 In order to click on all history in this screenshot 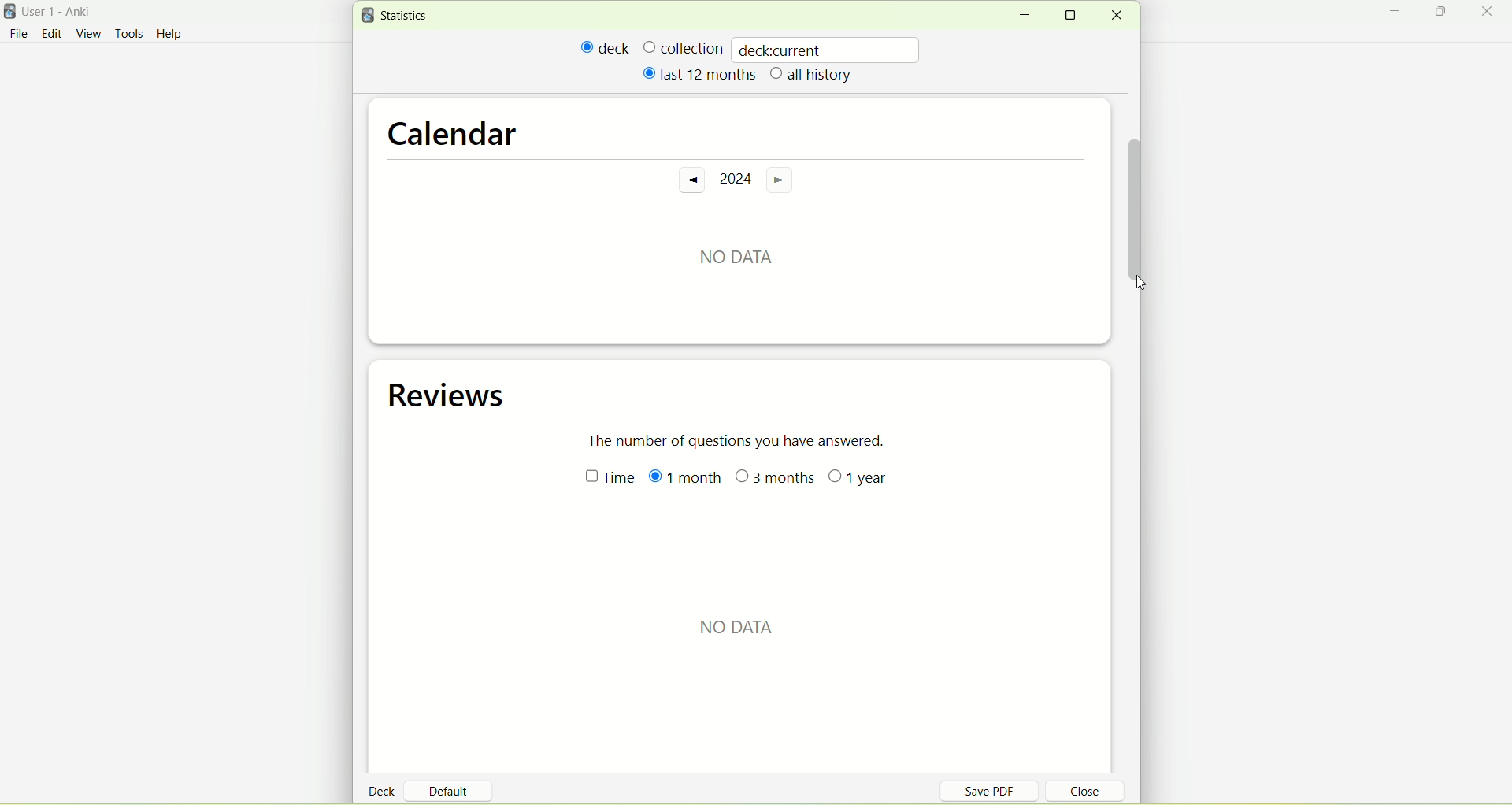, I will do `click(812, 76)`.